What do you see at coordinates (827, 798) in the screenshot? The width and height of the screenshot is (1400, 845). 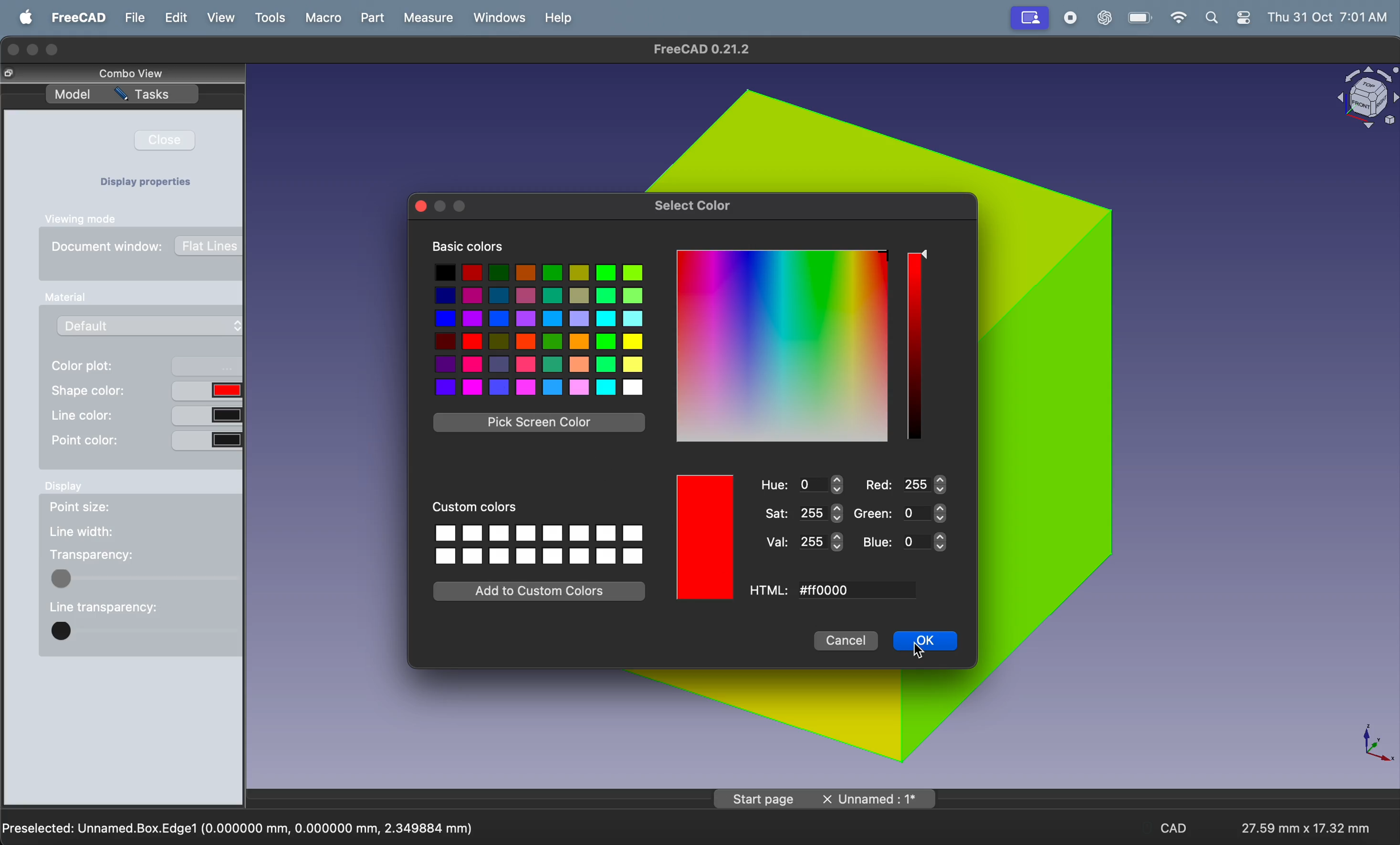 I see `page name` at bounding box center [827, 798].